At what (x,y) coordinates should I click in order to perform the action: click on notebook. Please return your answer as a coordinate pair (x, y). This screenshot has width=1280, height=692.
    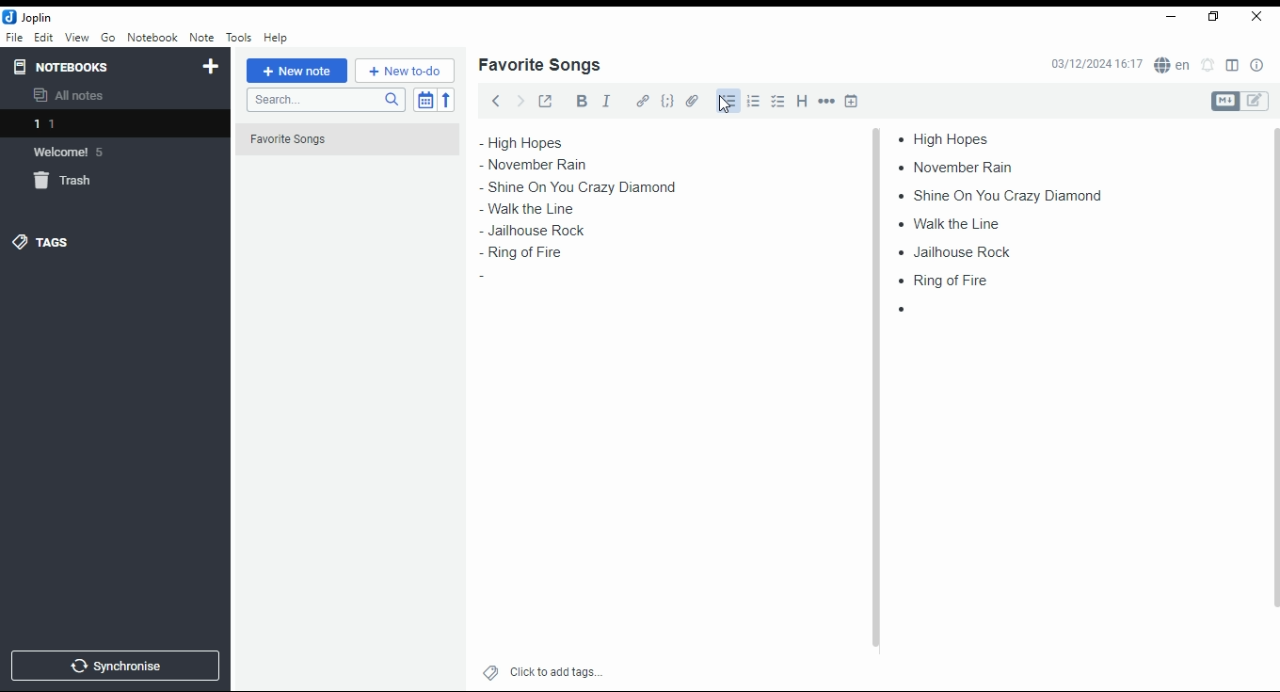
    Looking at the image, I should click on (152, 37).